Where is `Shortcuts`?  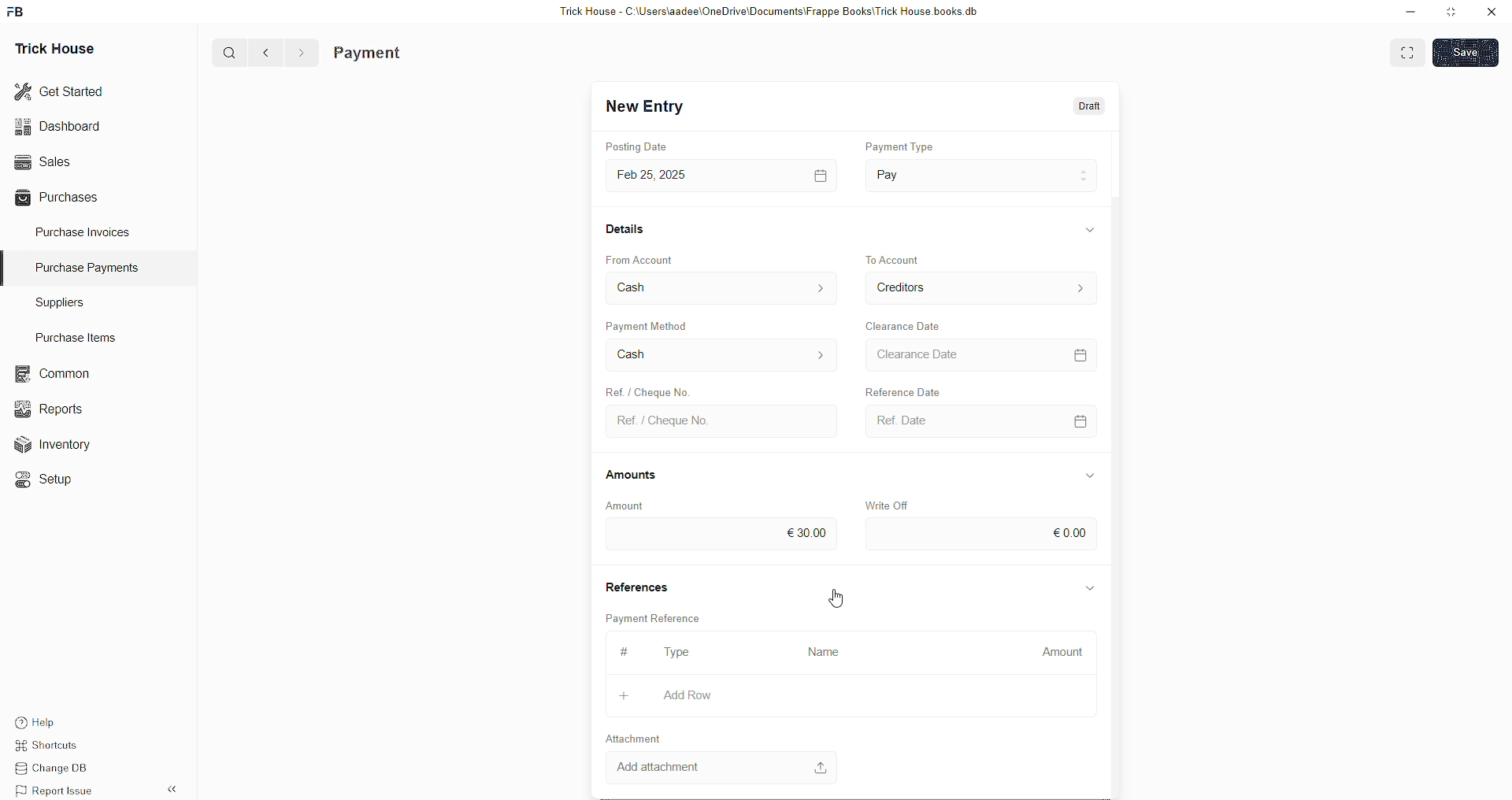
Shortcuts is located at coordinates (56, 747).